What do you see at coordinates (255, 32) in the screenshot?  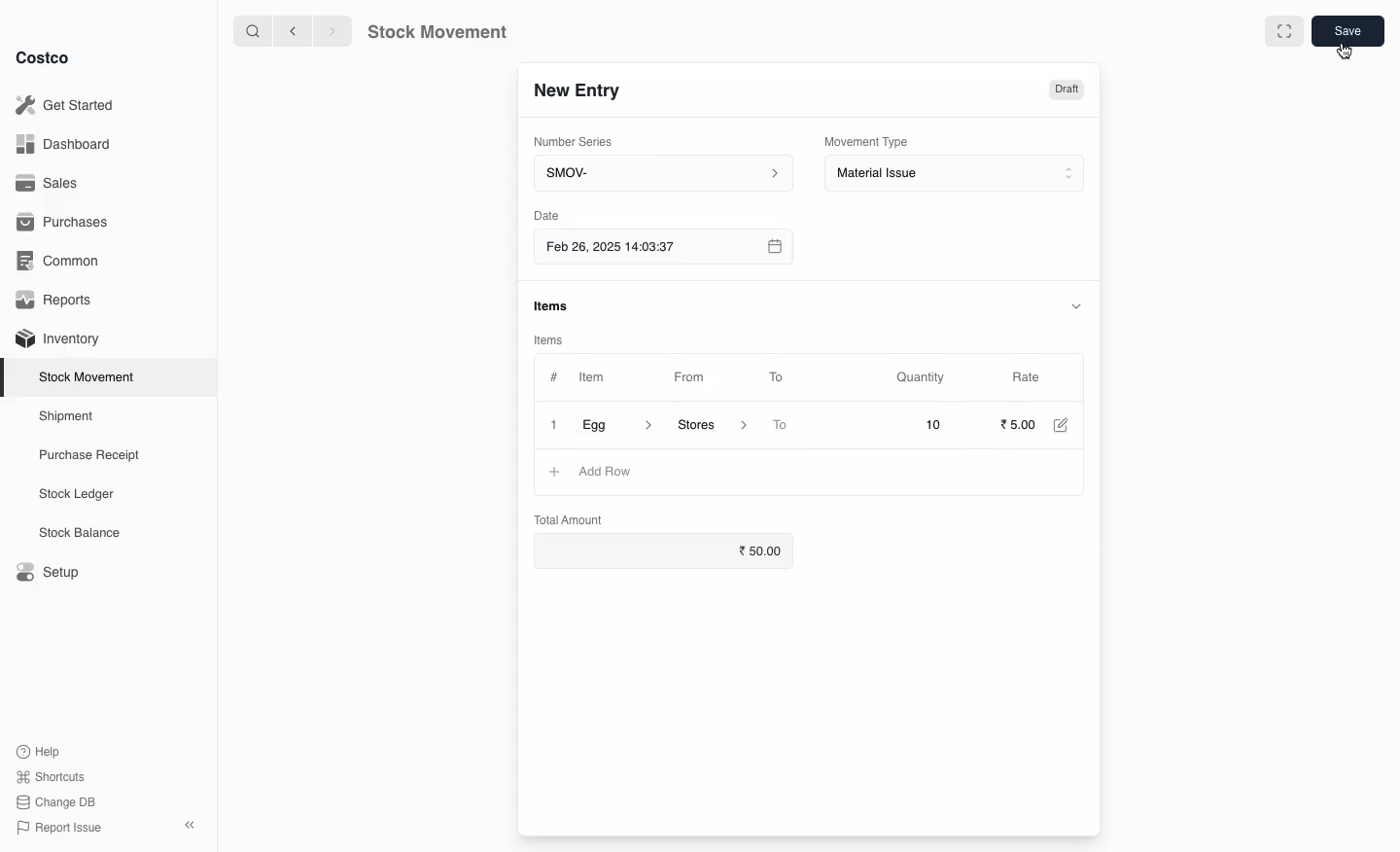 I see `search` at bounding box center [255, 32].